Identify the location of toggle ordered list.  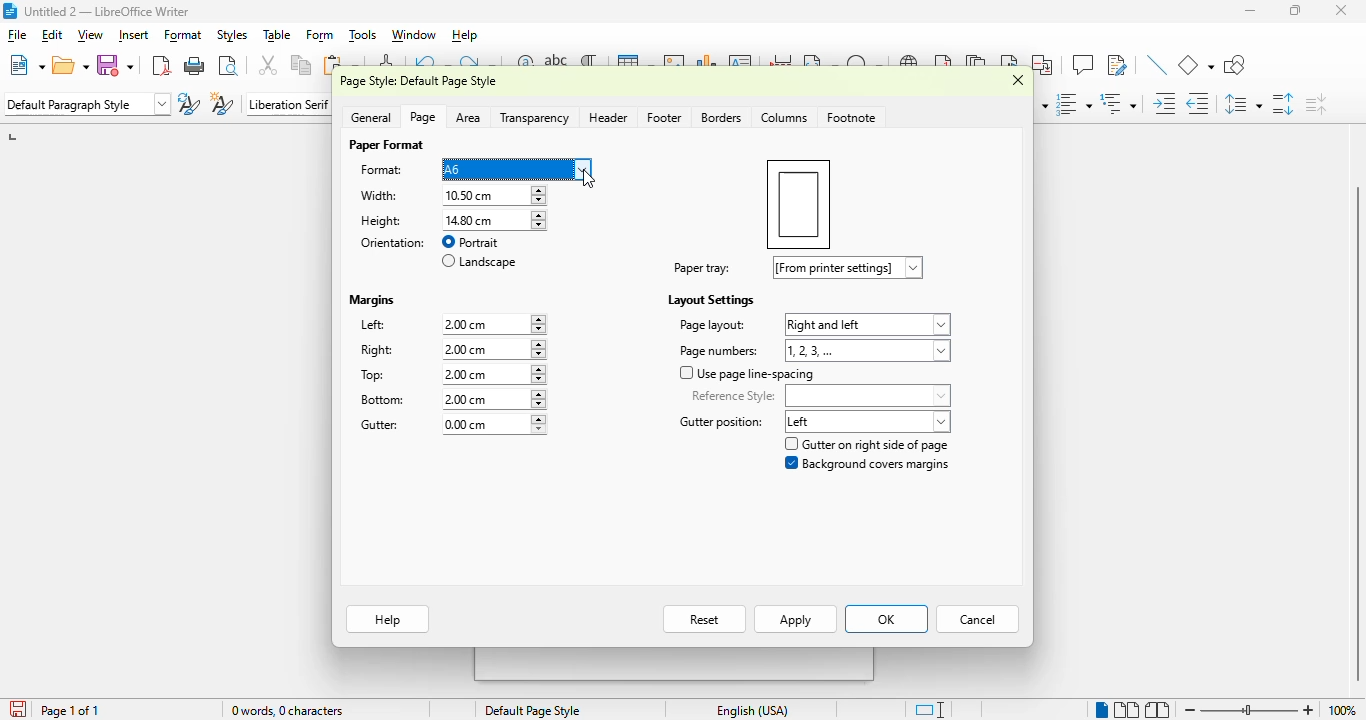
(1073, 104).